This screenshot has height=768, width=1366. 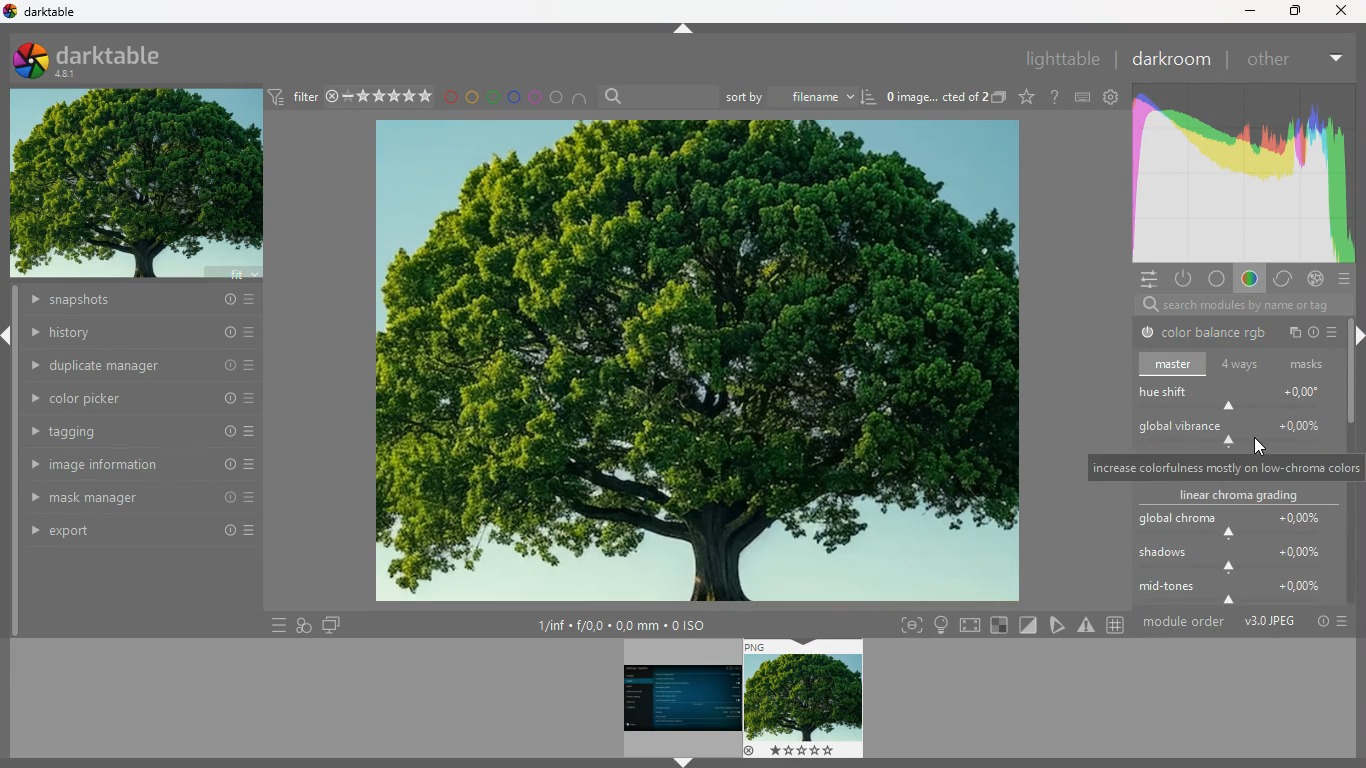 I want to click on image, so click(x=679, y=698).